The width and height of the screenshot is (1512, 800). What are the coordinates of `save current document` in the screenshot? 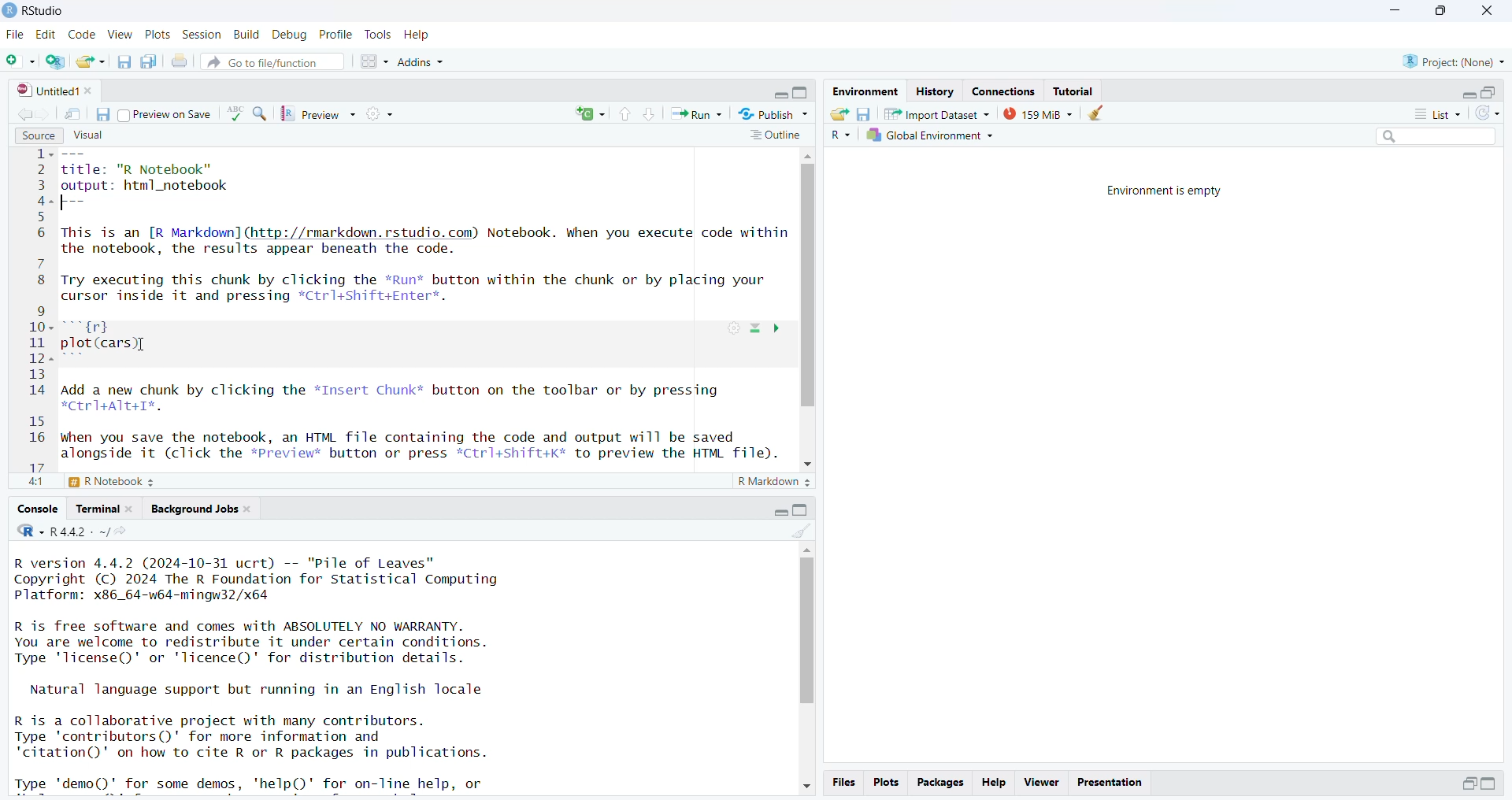 It's located at (126, 61).